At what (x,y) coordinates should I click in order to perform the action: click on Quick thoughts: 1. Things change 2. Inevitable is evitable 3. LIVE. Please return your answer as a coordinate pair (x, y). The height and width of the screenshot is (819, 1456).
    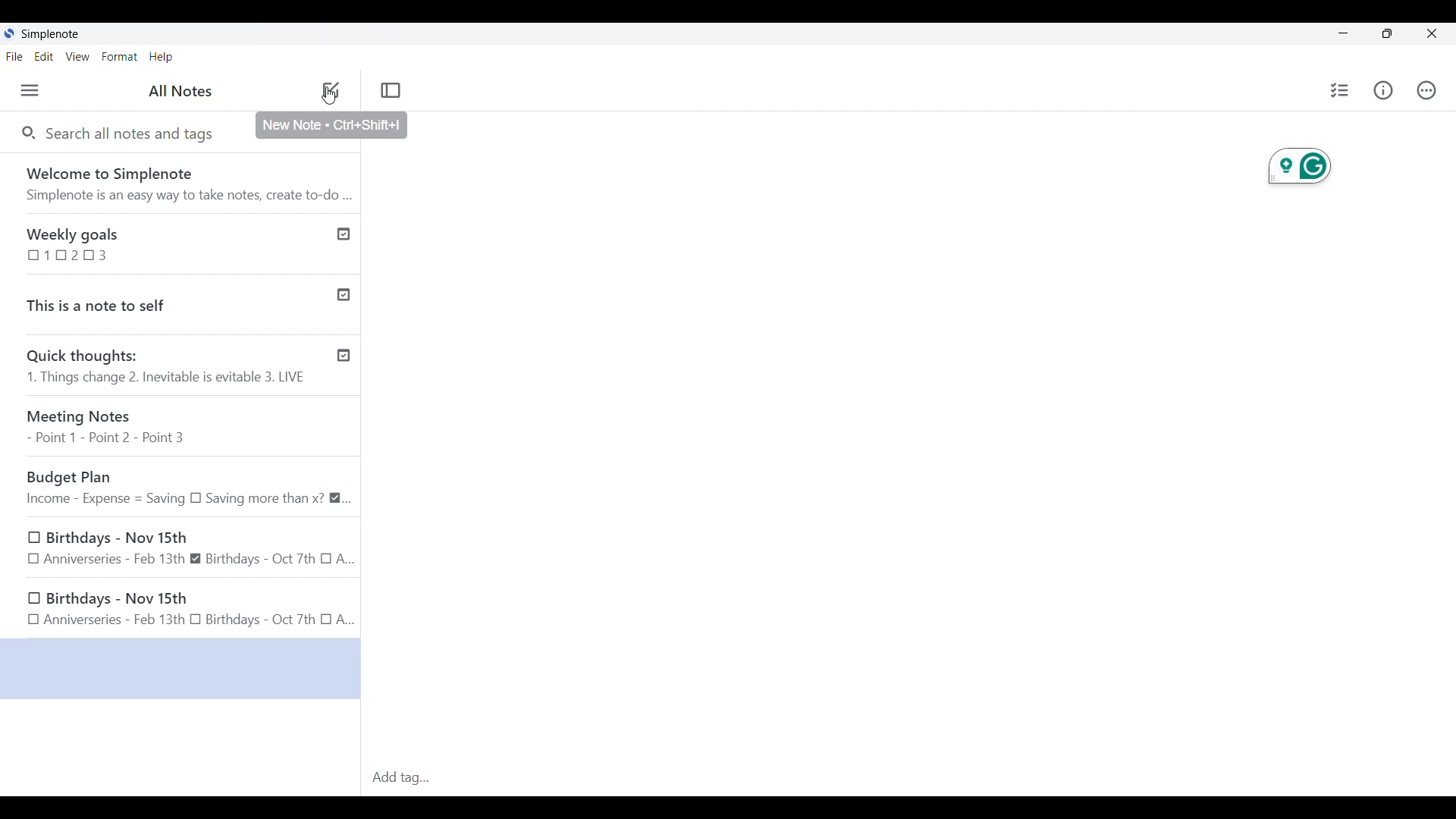
    Looking at the image, I should click on (165, 368).